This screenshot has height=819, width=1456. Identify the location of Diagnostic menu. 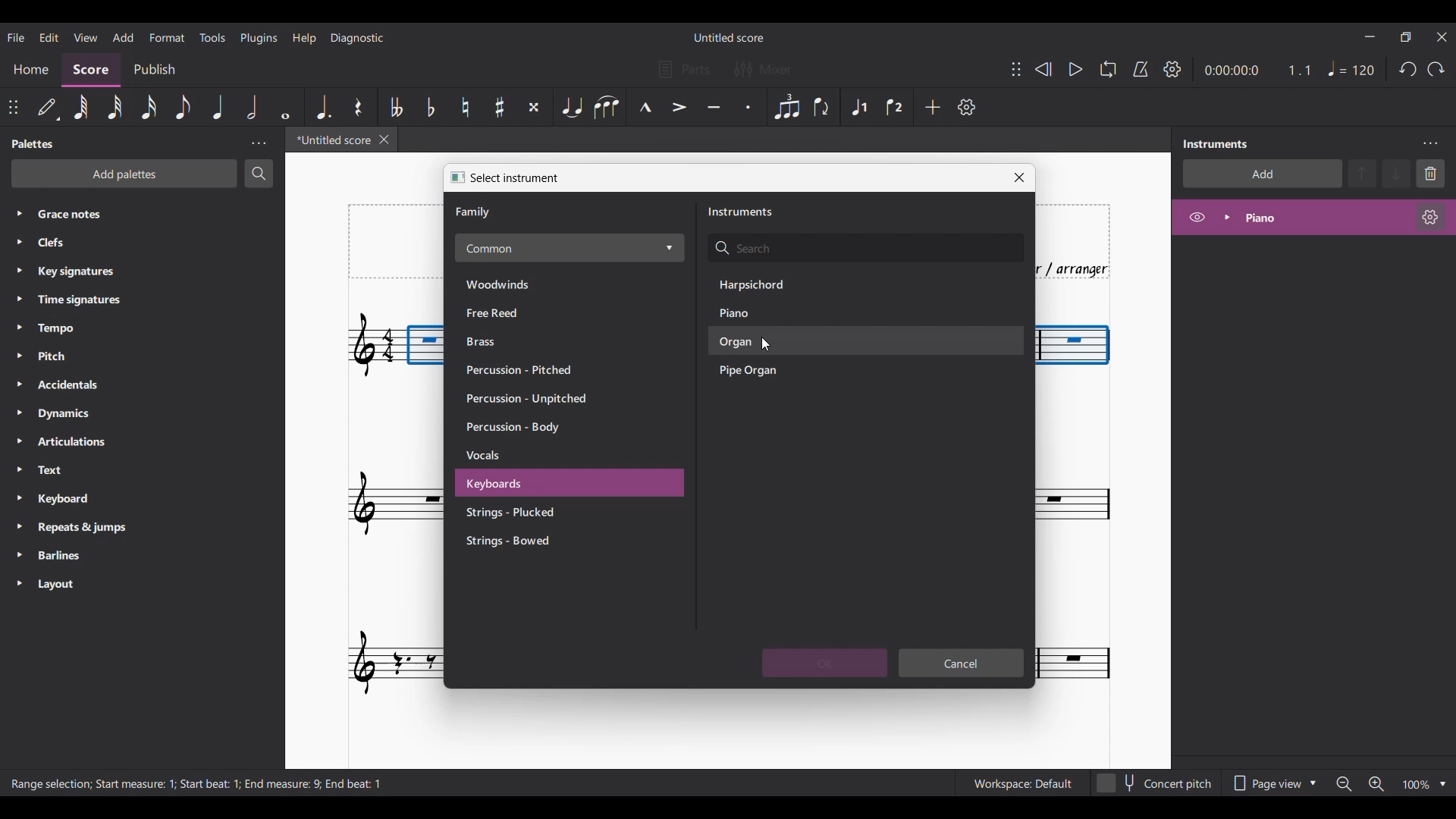
(358, 38).